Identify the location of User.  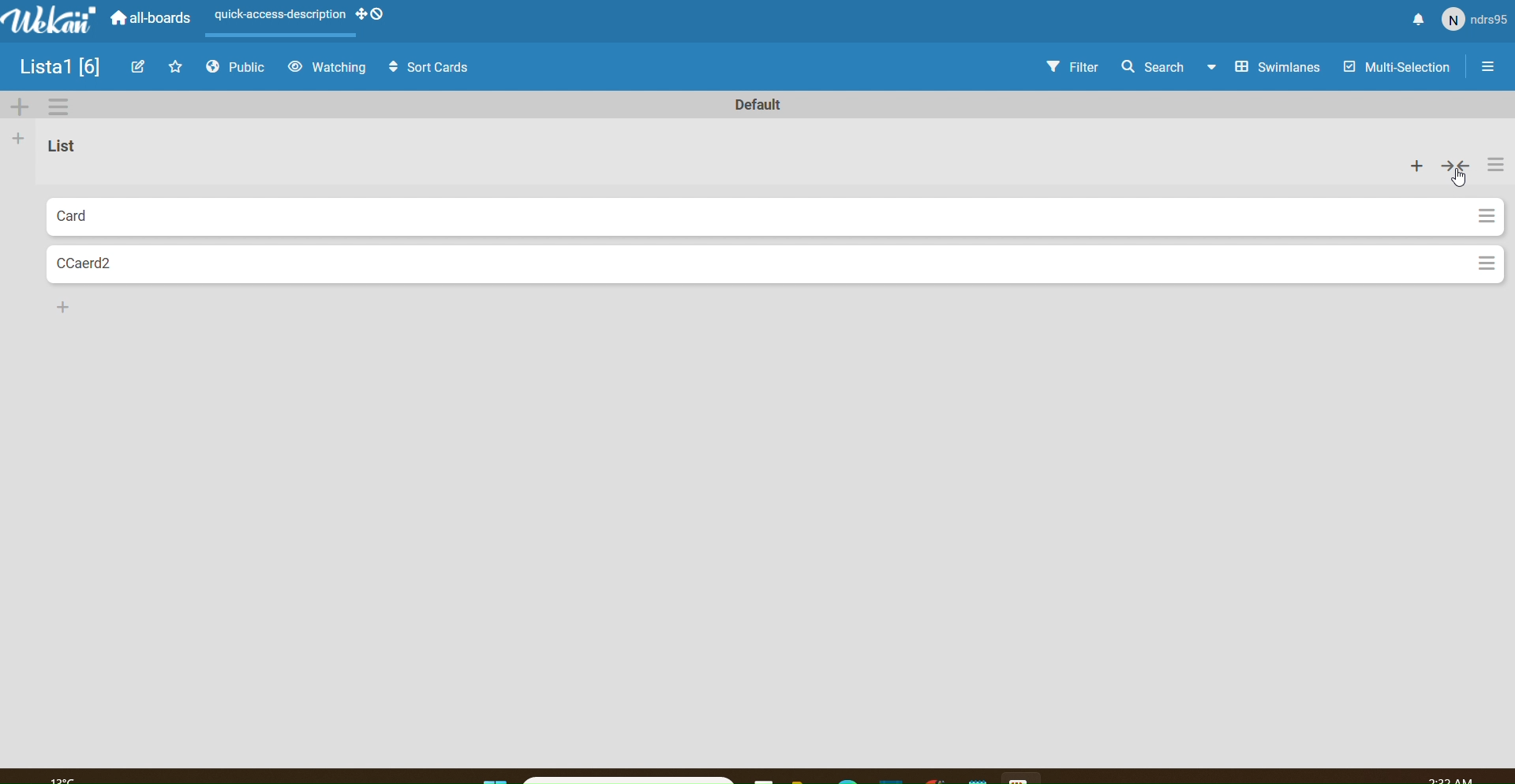
(1476, 21).